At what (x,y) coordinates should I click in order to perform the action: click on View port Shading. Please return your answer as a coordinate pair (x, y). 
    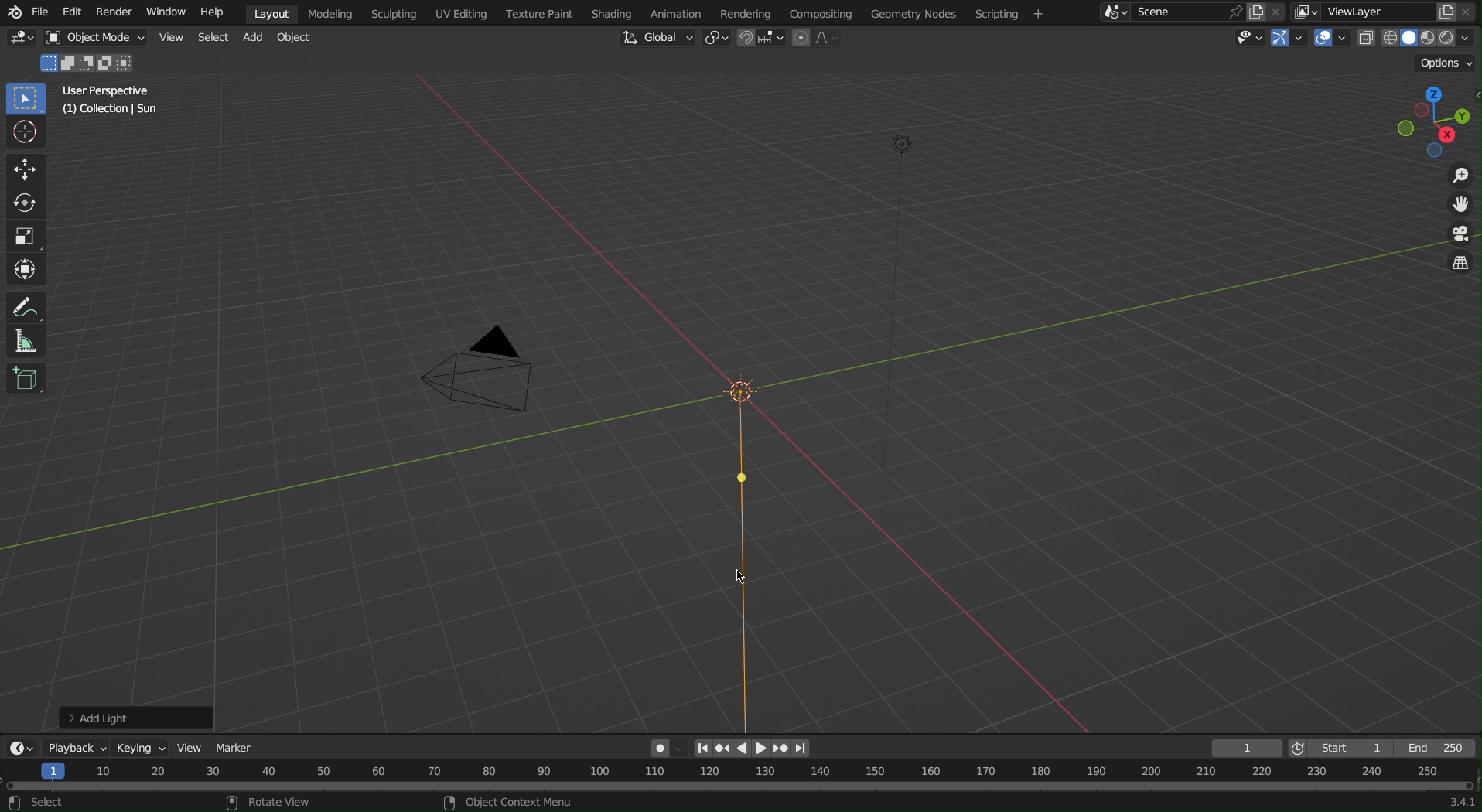
    Looking at the image, I should click on (1417, 39).